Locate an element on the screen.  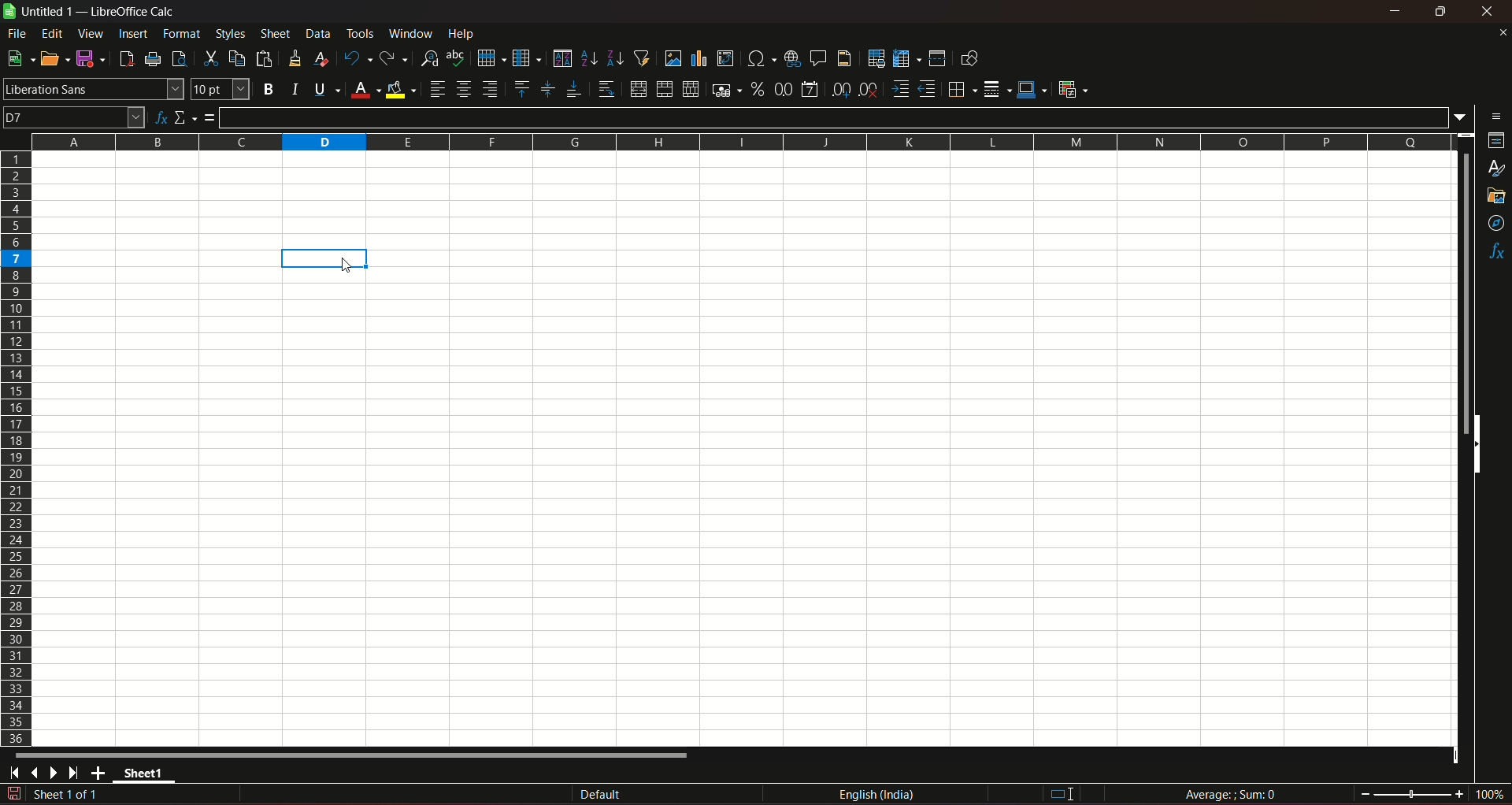
styles is located at coordinates (1498, 169).